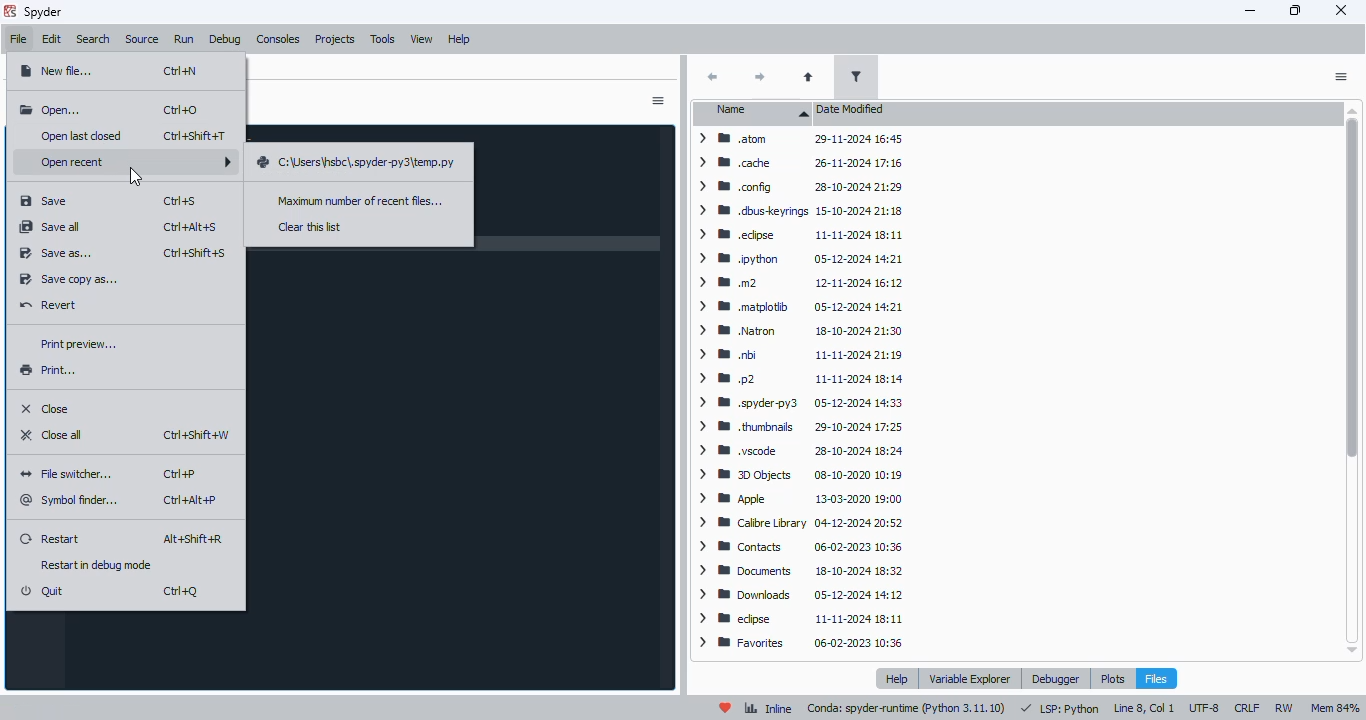 The image size is (1366, 720). Describe the element at coordinates (799, 354) in the screenshot. I see `> Wm bi 11-11-2024 21:19` at that location.